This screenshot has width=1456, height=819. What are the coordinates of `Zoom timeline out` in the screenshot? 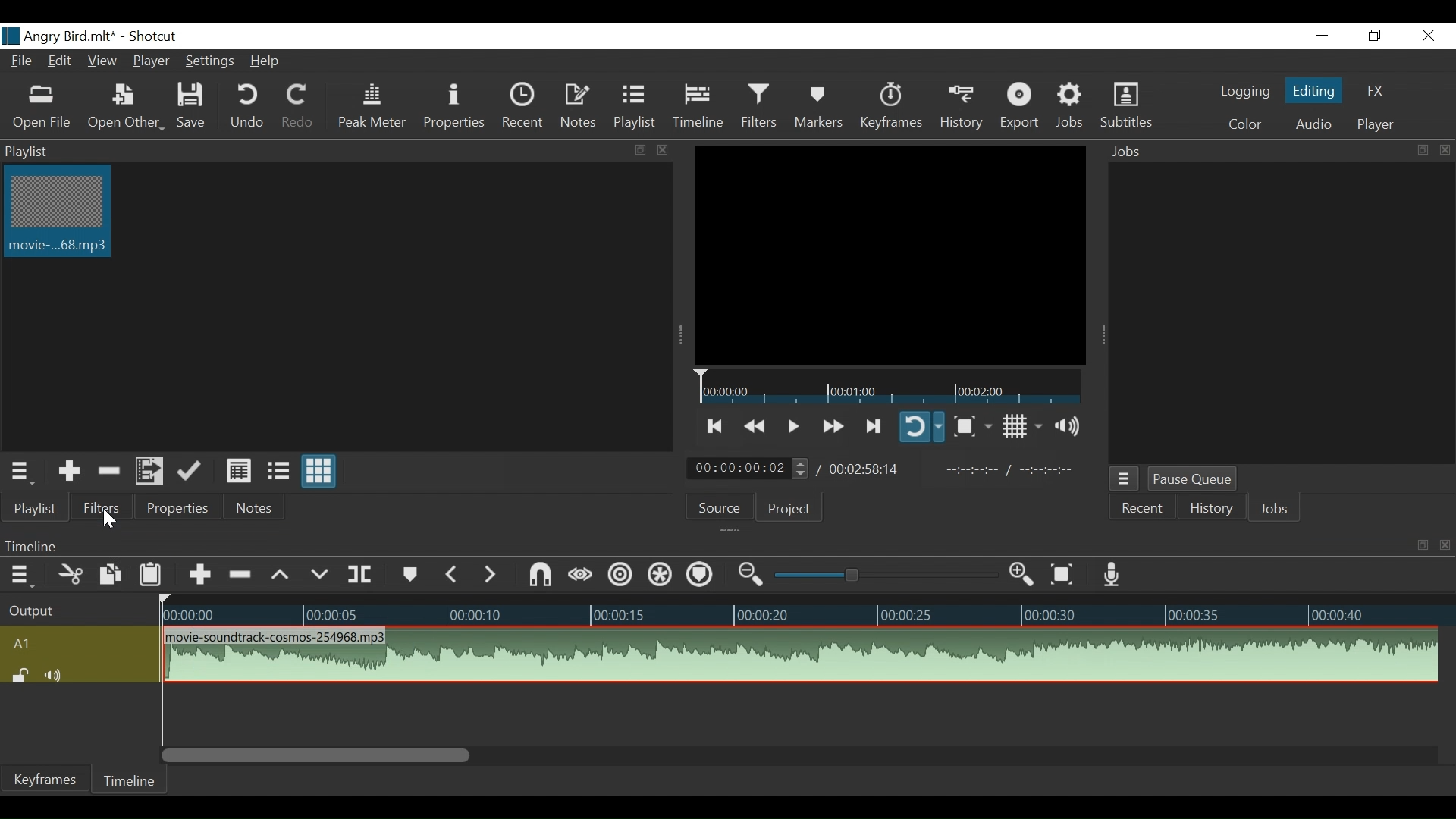 It's located at (748, 576).